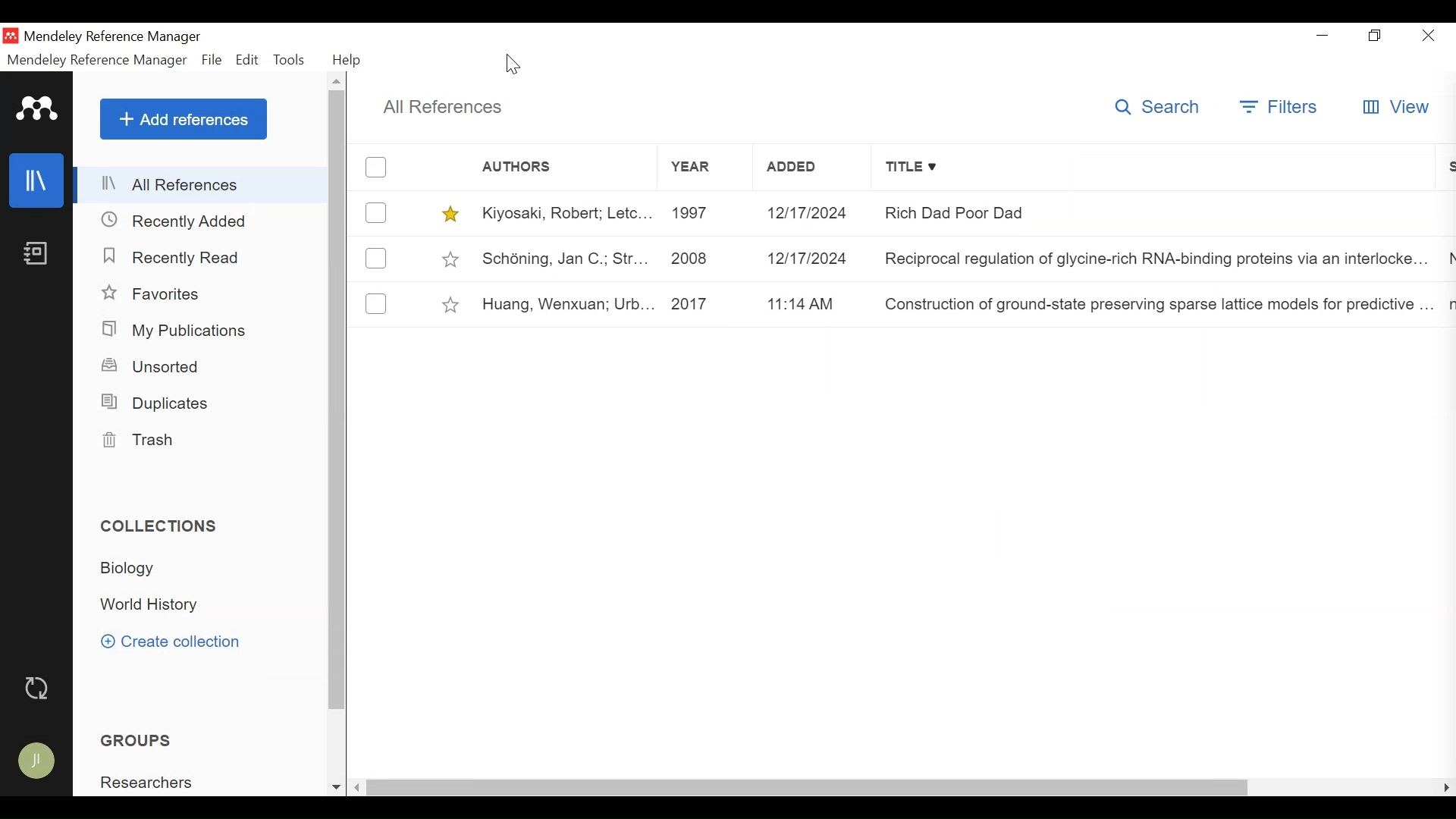 The width and height of the screenshot is (1456, 819). Describe the element at coordinates (38, 254) in the screenshot. I see `Notebook` at that location.